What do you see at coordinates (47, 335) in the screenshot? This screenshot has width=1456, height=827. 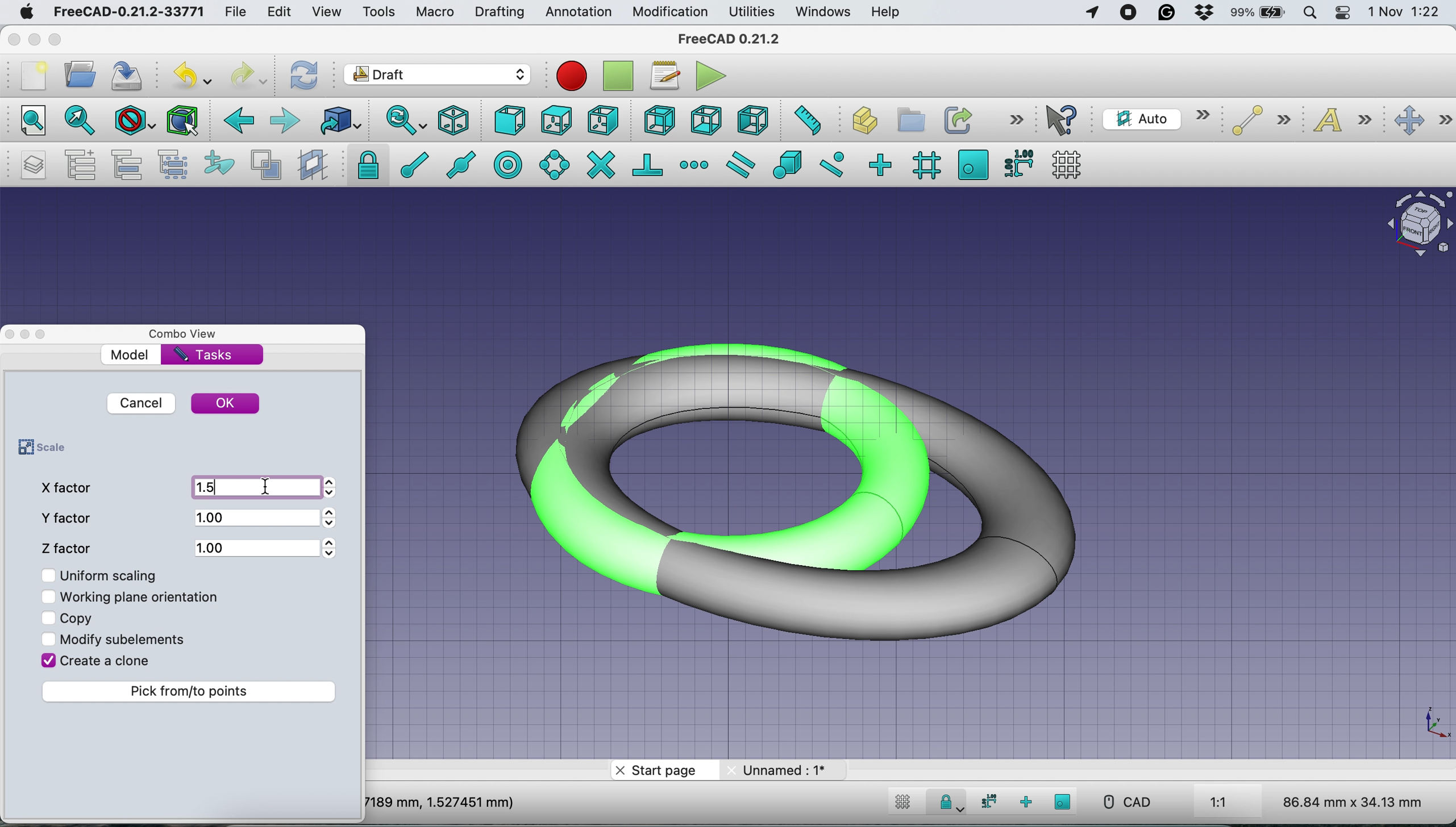 I see `Toggle Overlay` at bounding box center [47, 335].